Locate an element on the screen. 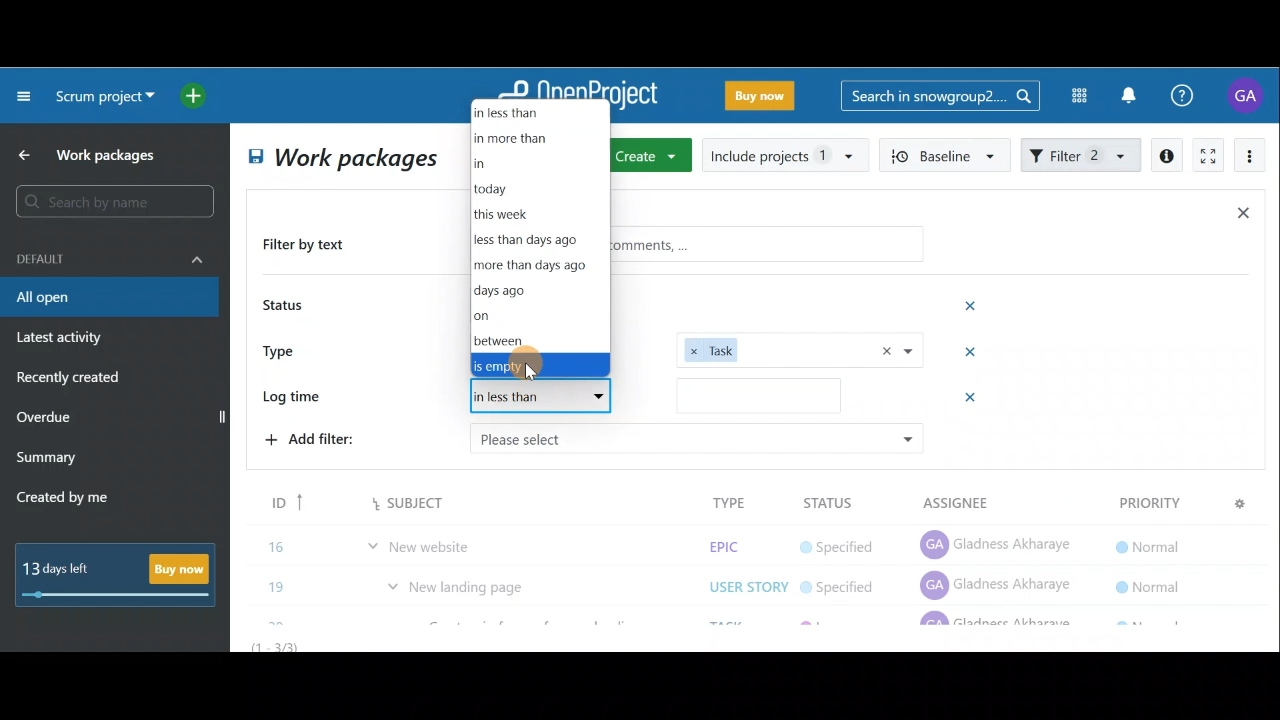 This screenshot has height=720, width=1280. + Create  is located at coordinates (653, 157).